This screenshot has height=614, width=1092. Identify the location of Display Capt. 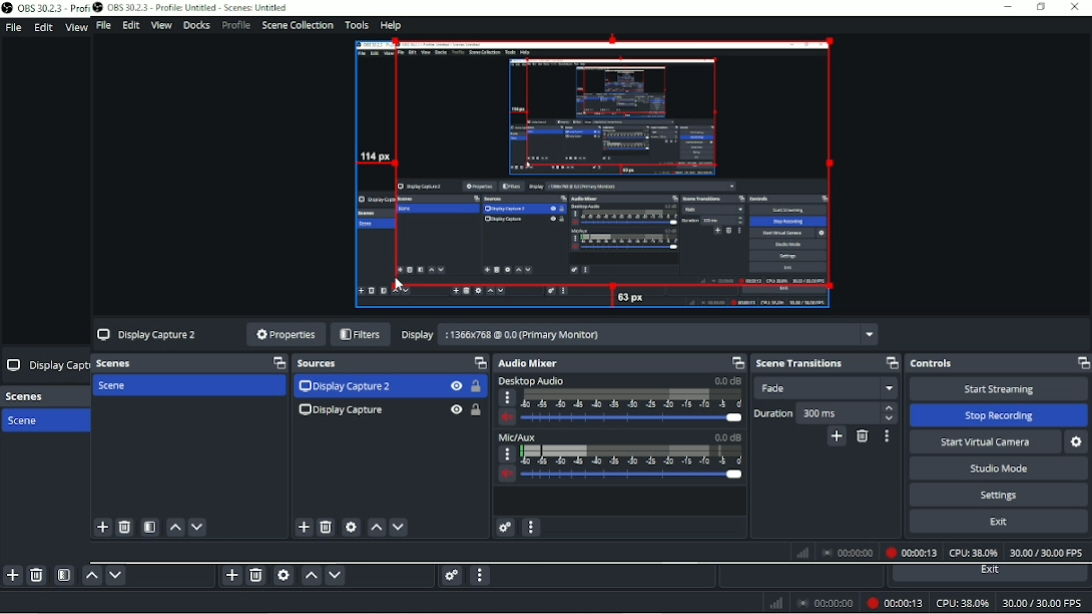
(45, 365).